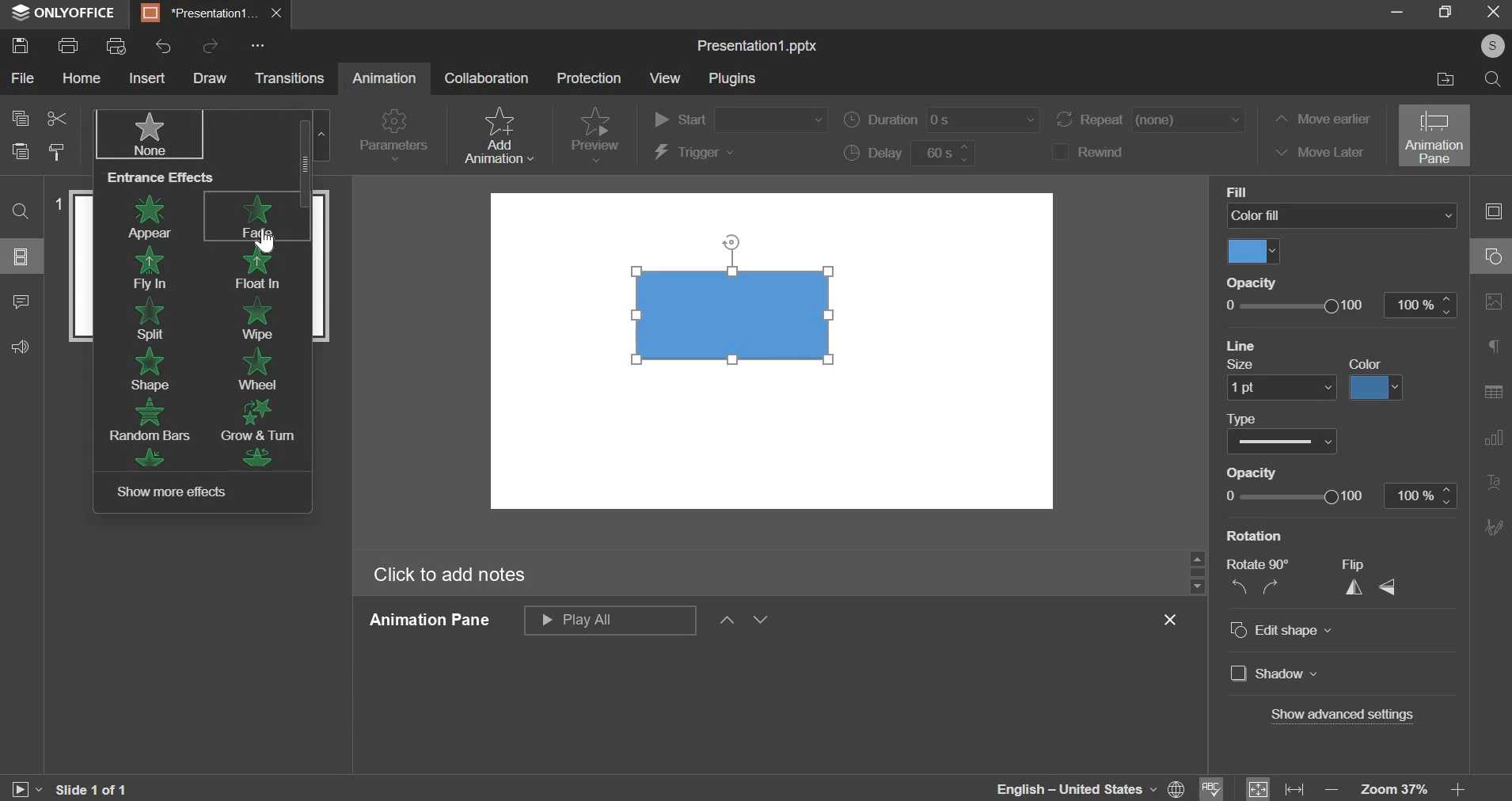 The width and height of the screenshot is (1512, 801). Describe the element at coordinates (1252, 417) in the screenshot. I see `Type` at that location.